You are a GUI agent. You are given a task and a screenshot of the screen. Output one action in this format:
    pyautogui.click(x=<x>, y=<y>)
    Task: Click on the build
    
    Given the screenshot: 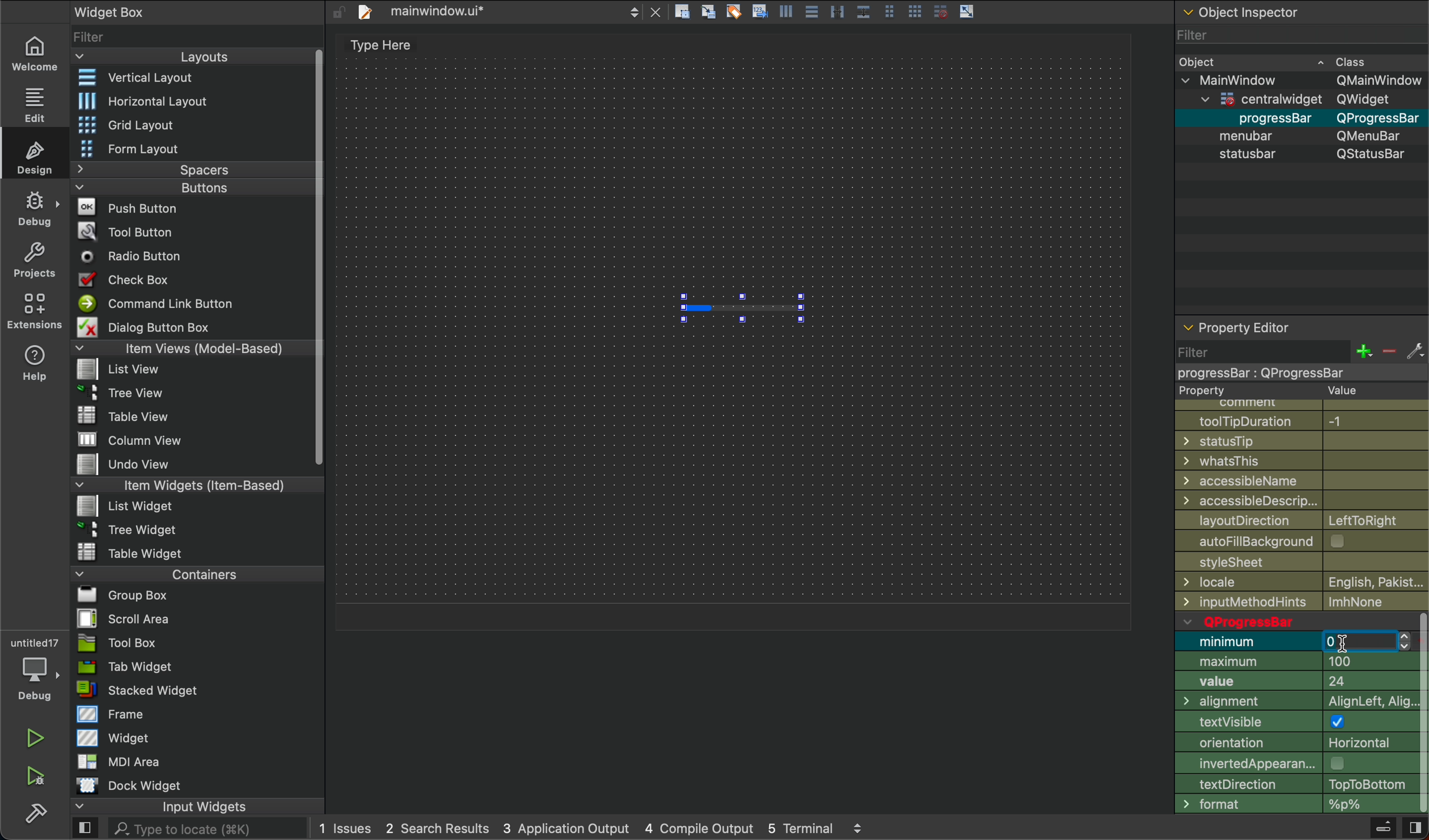 What is the action you would take?
    pyautogui.click(x=36, y=811)
    